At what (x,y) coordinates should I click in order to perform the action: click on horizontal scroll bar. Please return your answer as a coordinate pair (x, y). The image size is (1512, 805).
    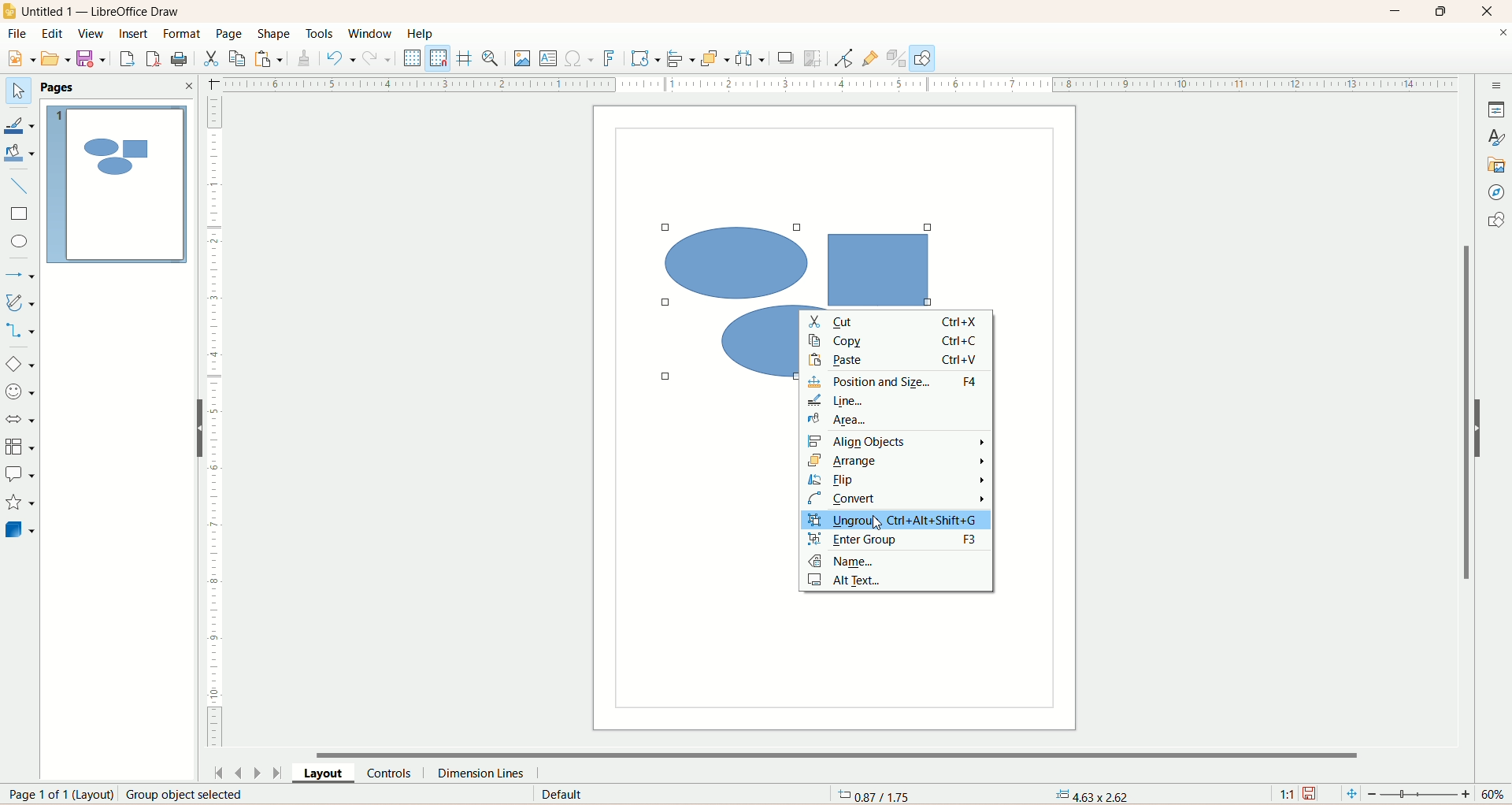
    Looking at the image, I should click on (853, 753).